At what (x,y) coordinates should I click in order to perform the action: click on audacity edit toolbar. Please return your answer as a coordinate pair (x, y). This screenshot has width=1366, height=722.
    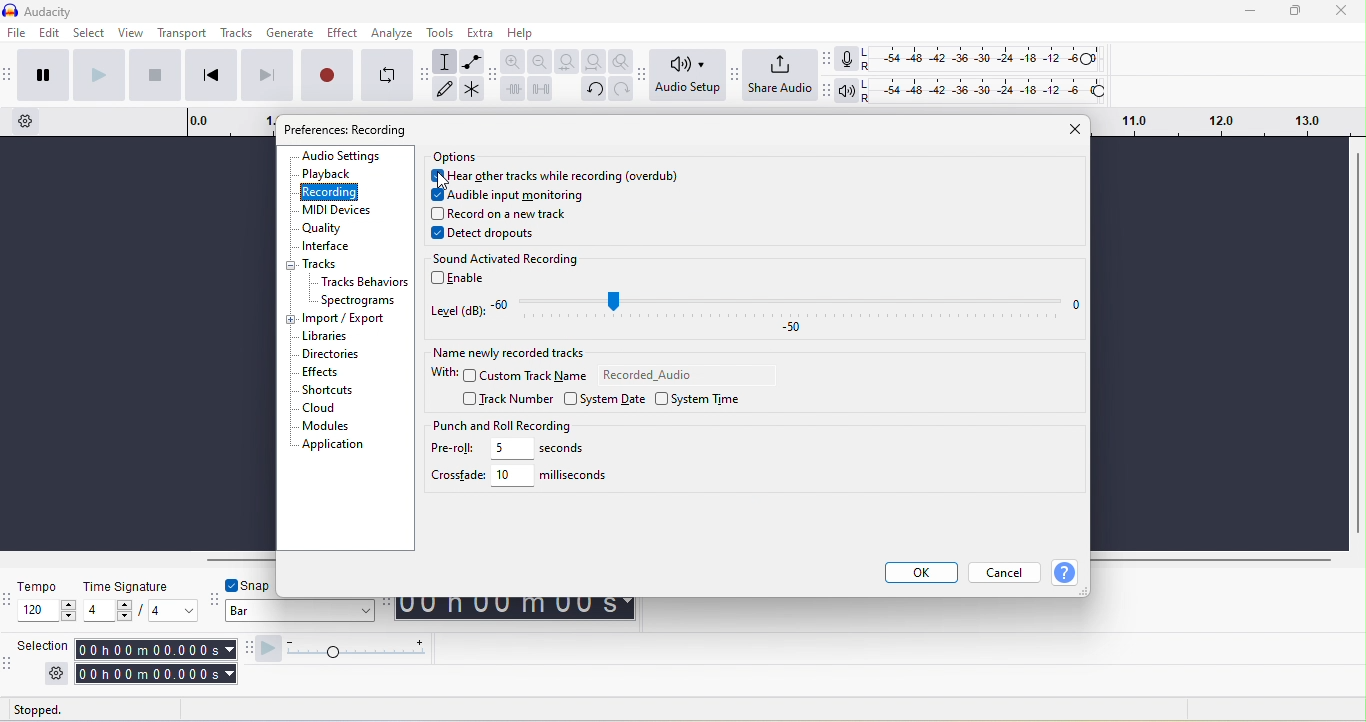
    Looking at the image, I should click on (494, 75).